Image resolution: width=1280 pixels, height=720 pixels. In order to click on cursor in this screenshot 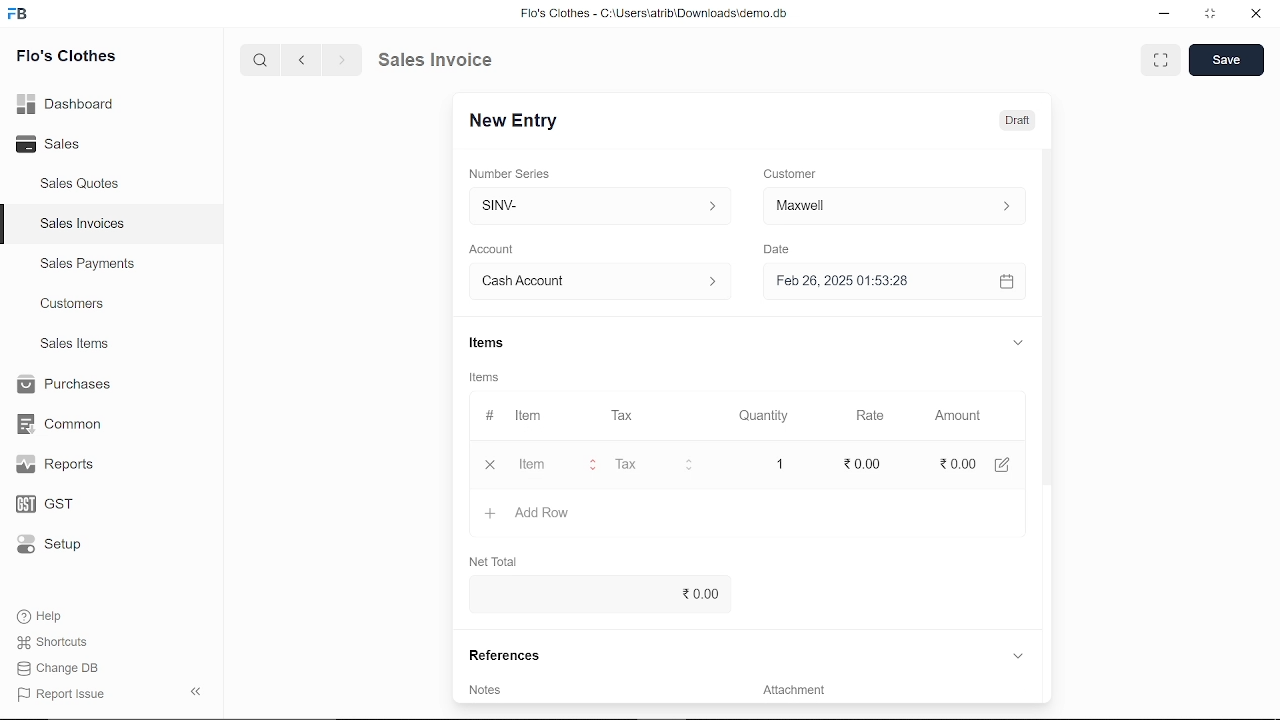, I will do `click(542, 467)`.